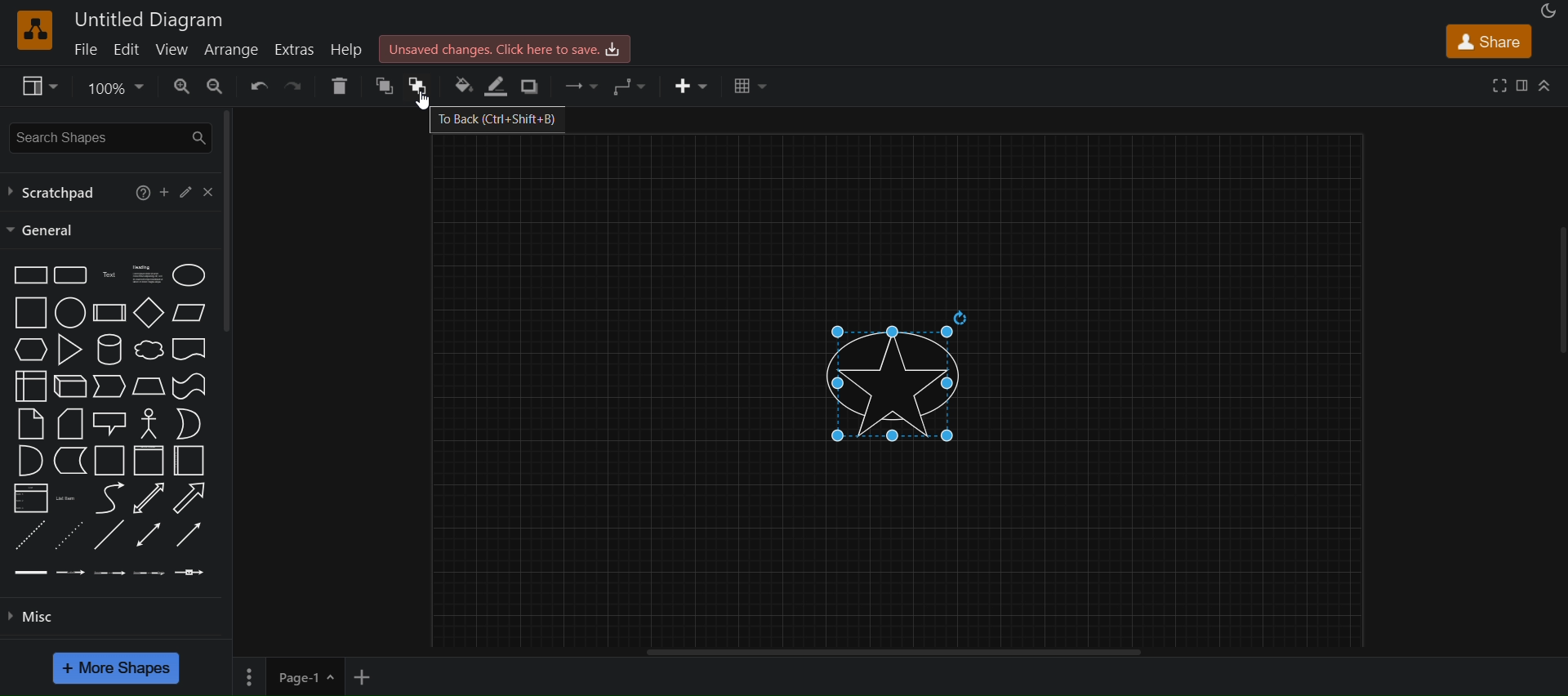 The width and height of the screenshot is (1568, 696). I want to click on view, so click(36, 85).